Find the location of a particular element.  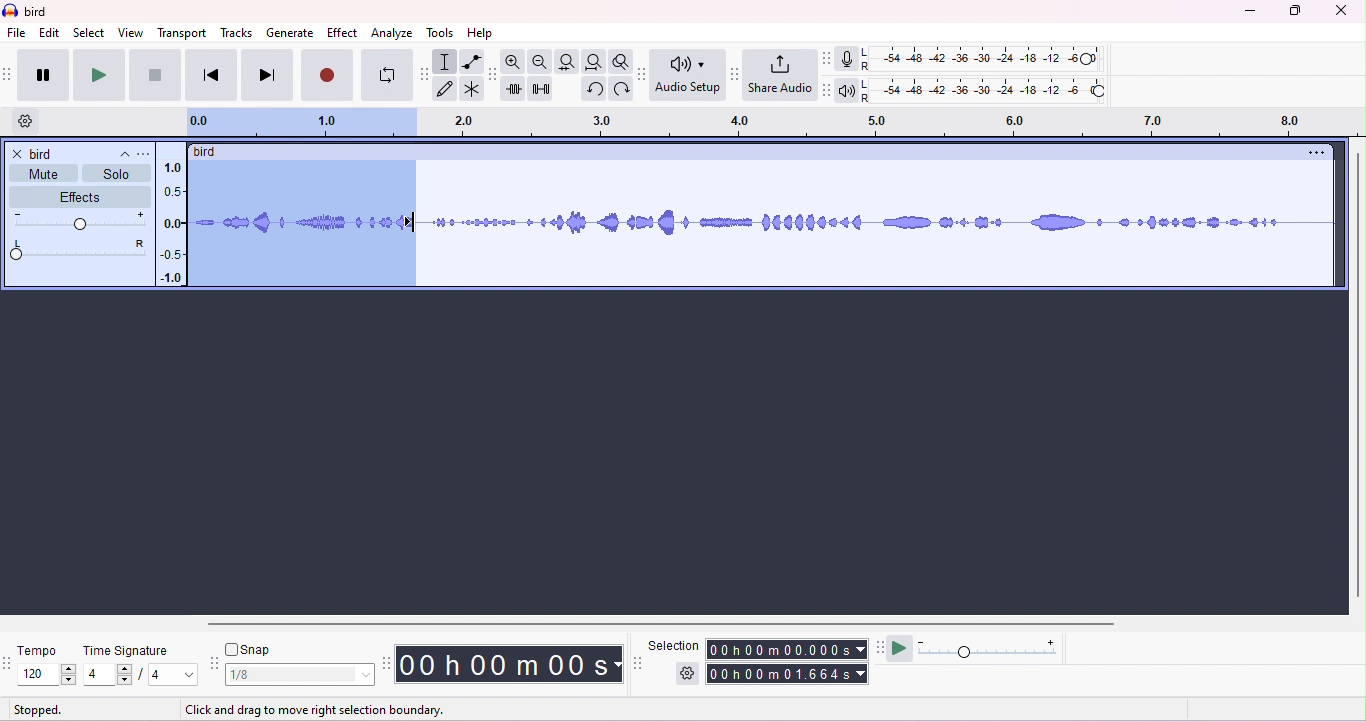

envelop is located at coordinates (472, 61).